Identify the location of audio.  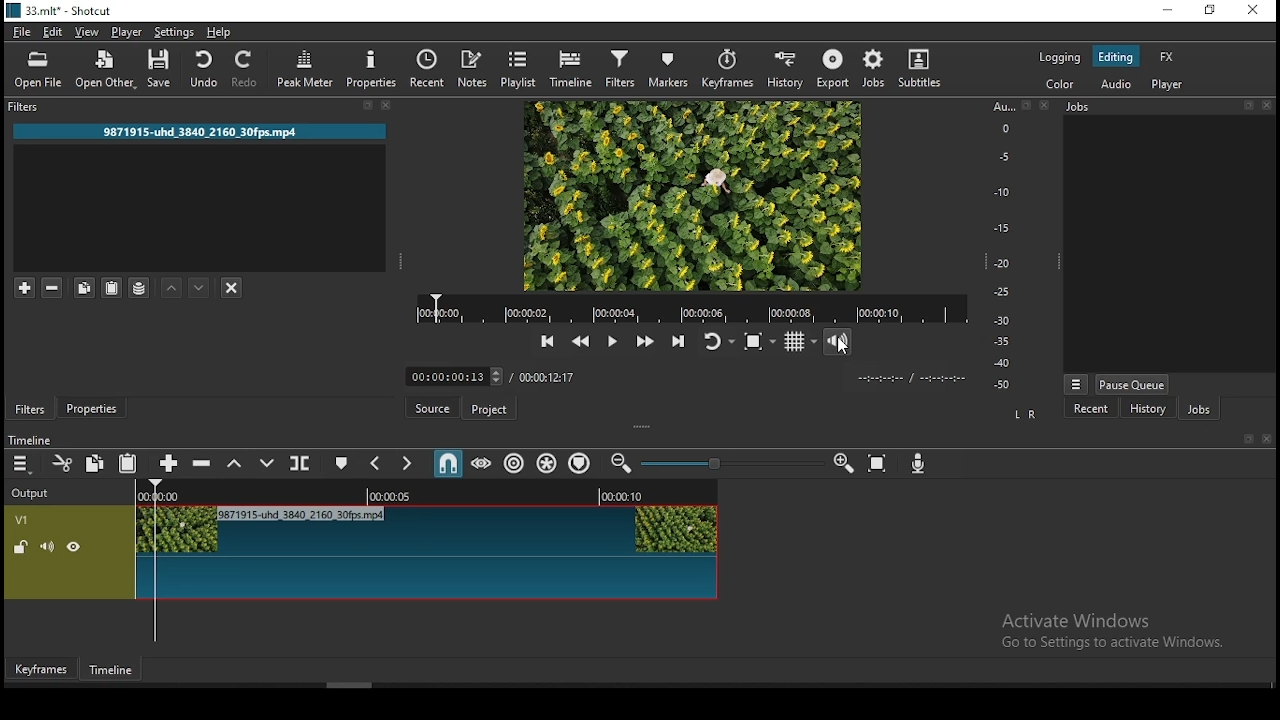
(1116, 81).